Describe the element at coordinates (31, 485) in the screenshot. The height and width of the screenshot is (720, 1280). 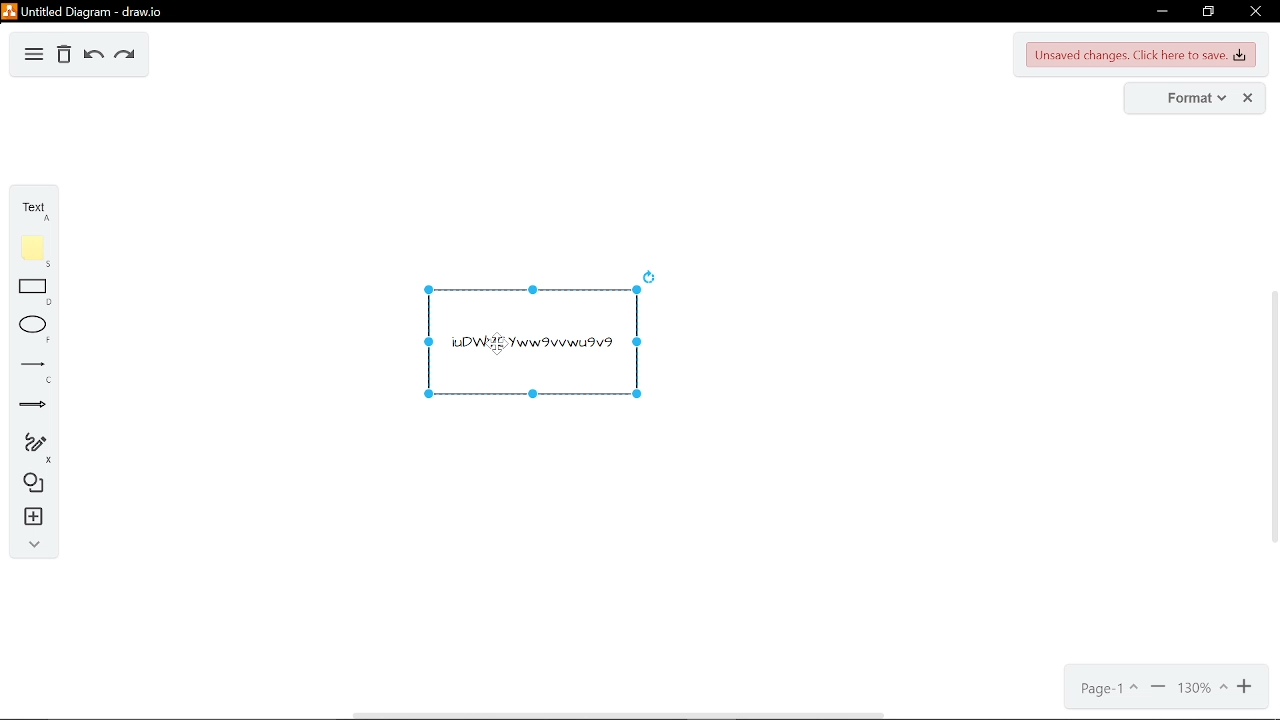
I see `shapes` at that location.